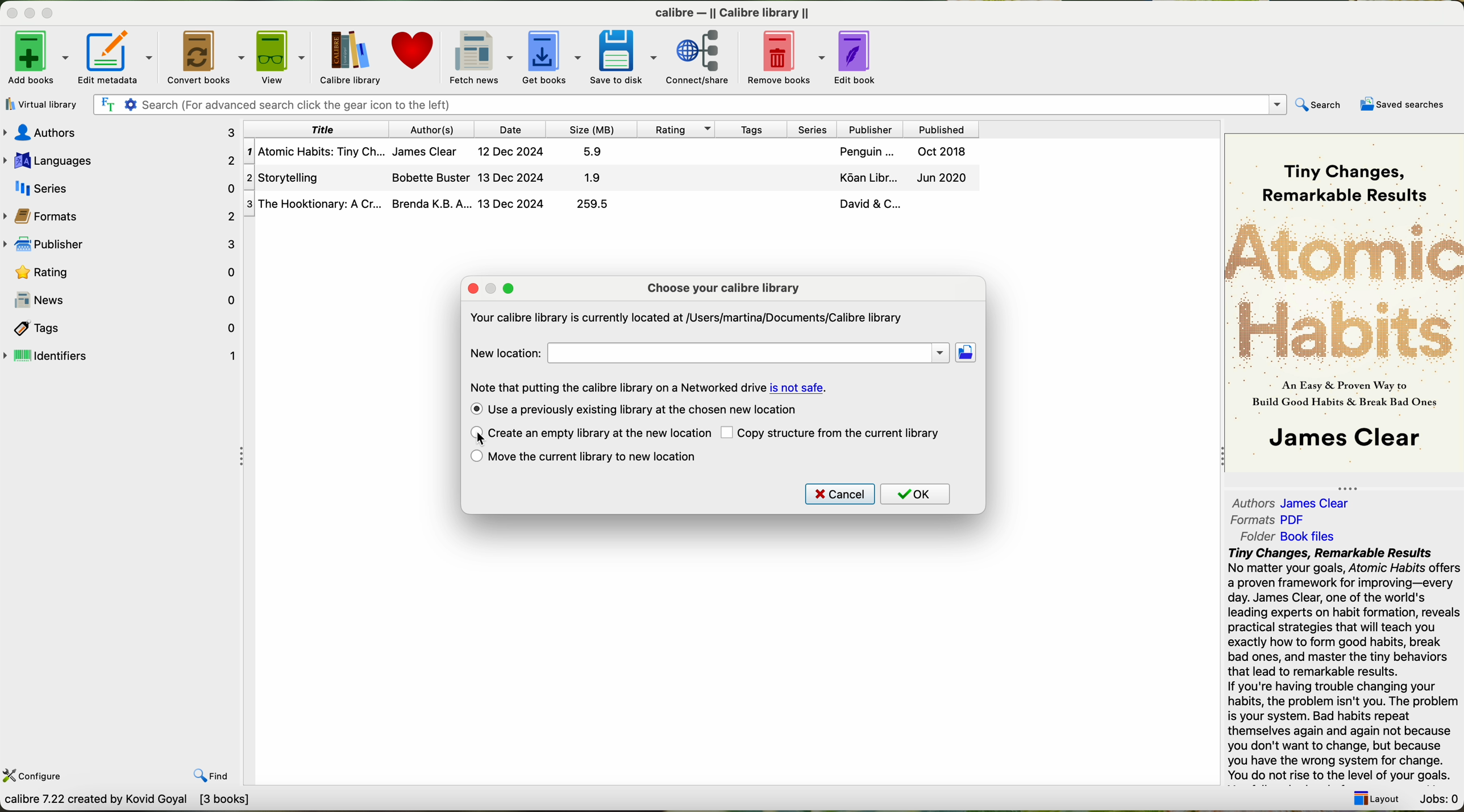 Image resolution: width=1464 pixels, height=812 pixels. I want to click on Jobs: 0, so click(1437, 796).